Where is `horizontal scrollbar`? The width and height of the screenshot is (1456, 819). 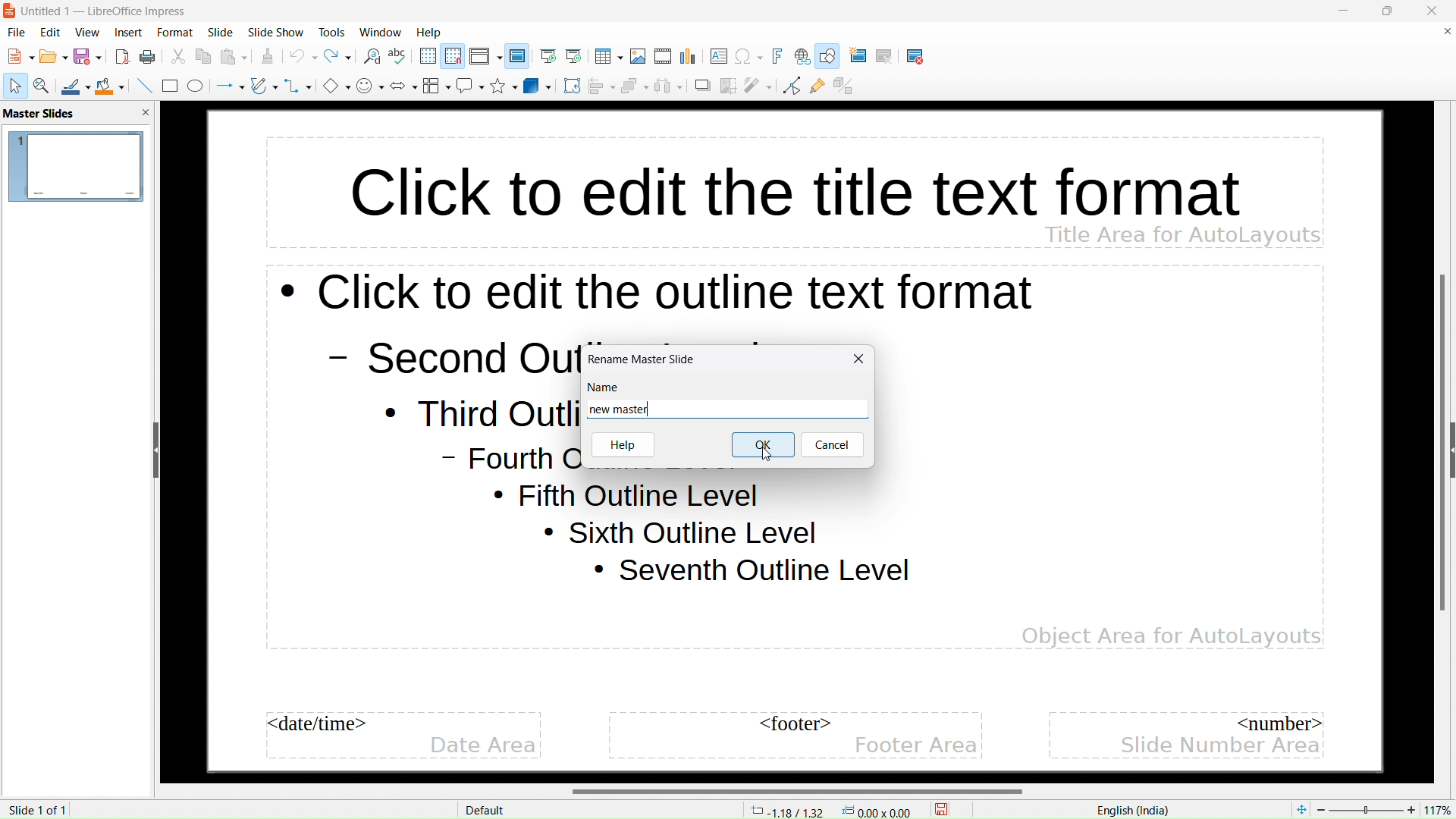
horizontal scrollbar is located at coordinates (798, 791).